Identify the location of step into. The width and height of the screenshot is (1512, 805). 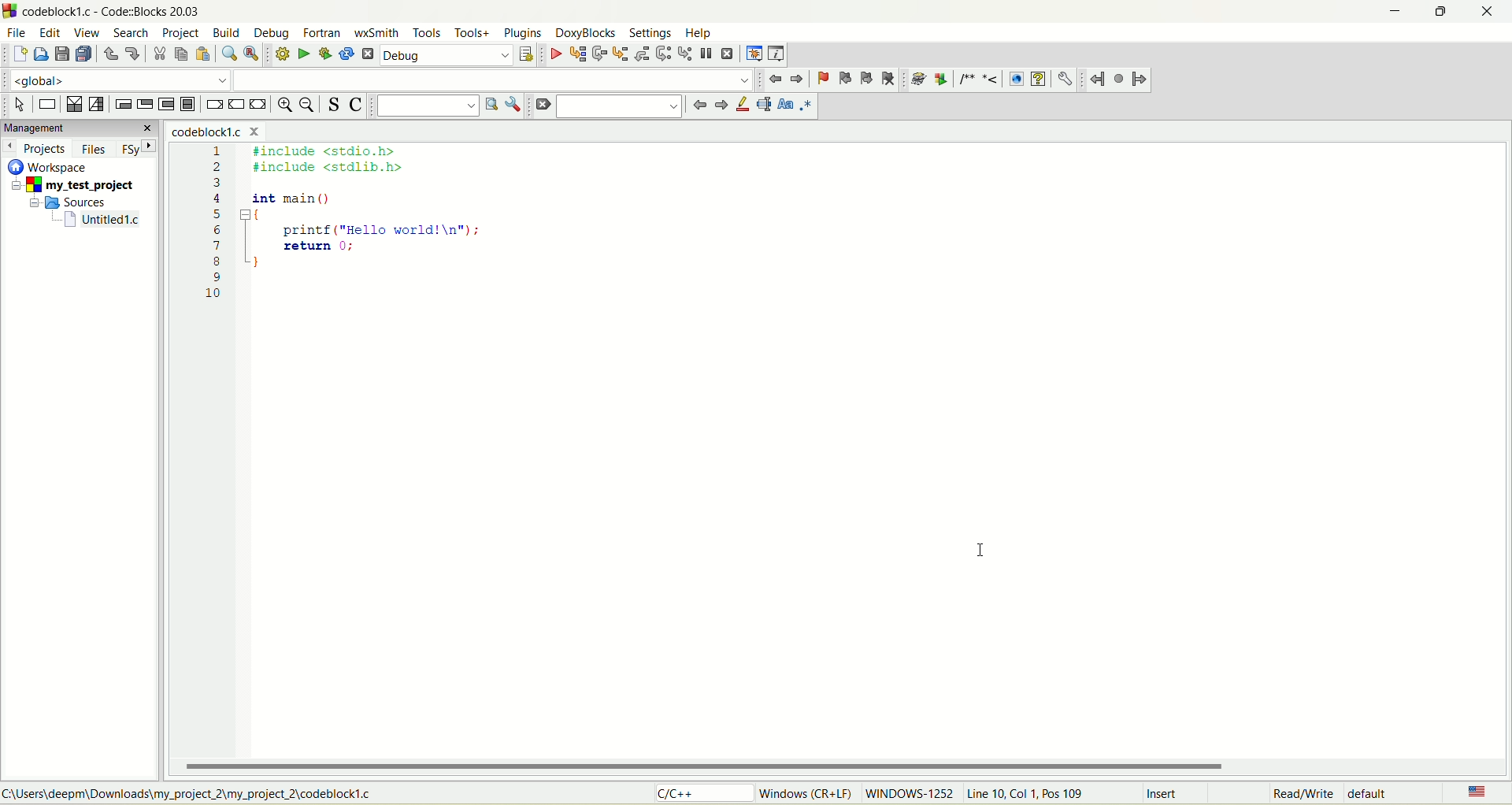
(621, 54).